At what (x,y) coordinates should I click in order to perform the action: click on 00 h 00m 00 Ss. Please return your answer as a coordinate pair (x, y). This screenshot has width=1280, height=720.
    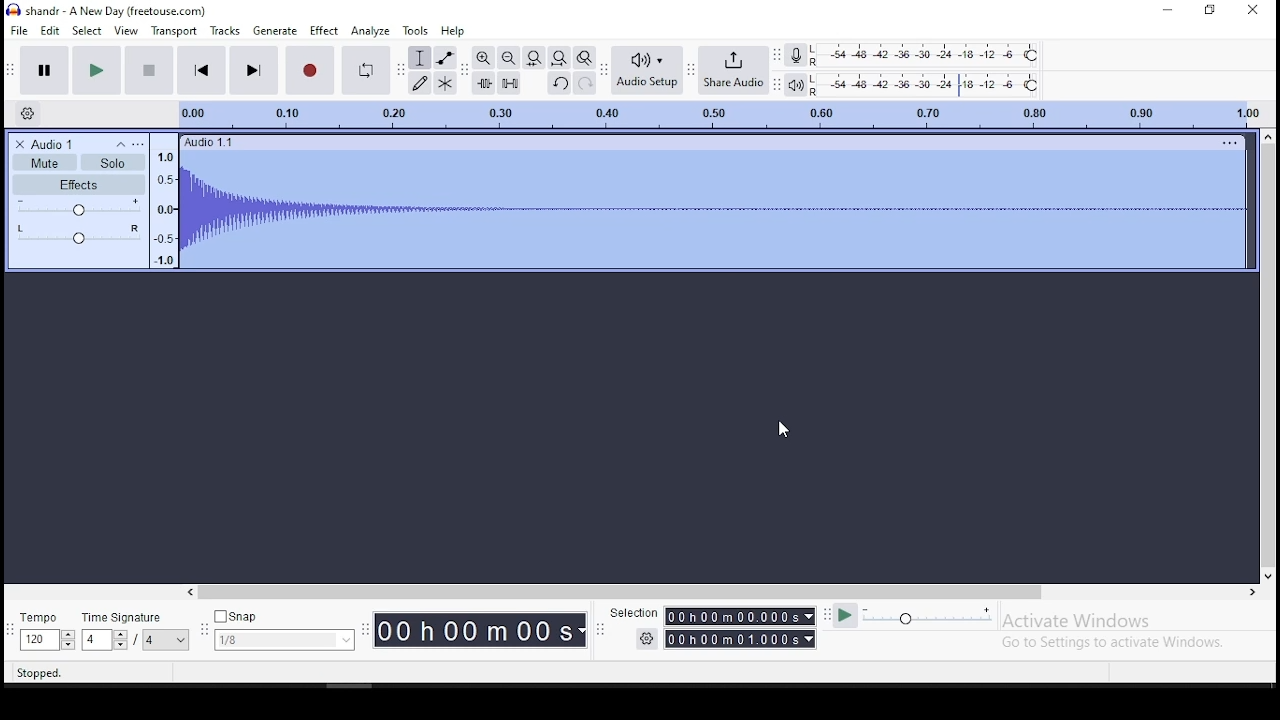
    Looking at the image, I should click on (481, 630).